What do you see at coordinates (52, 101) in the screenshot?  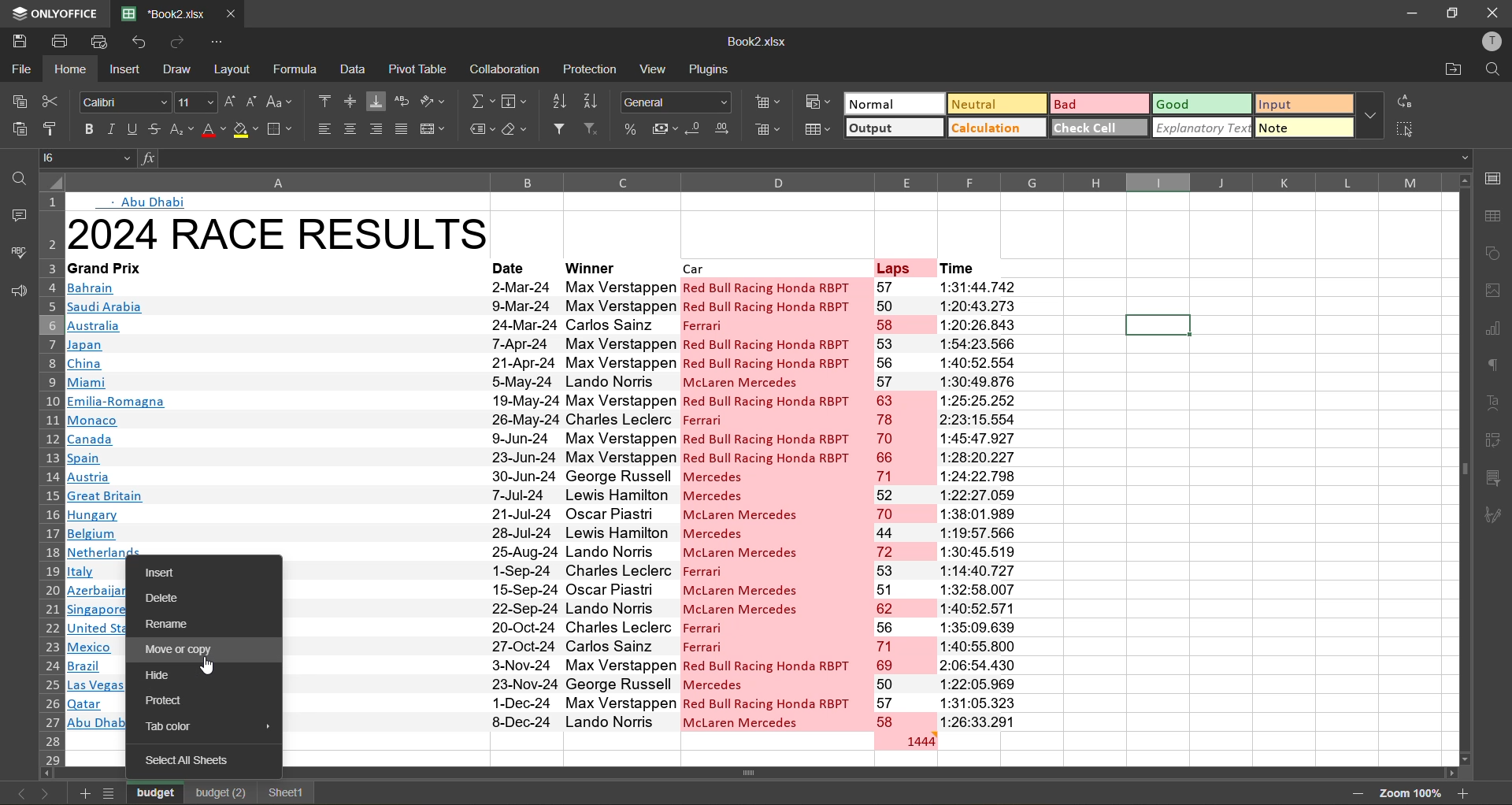 I see `cut` at bounding box center [52, 101].